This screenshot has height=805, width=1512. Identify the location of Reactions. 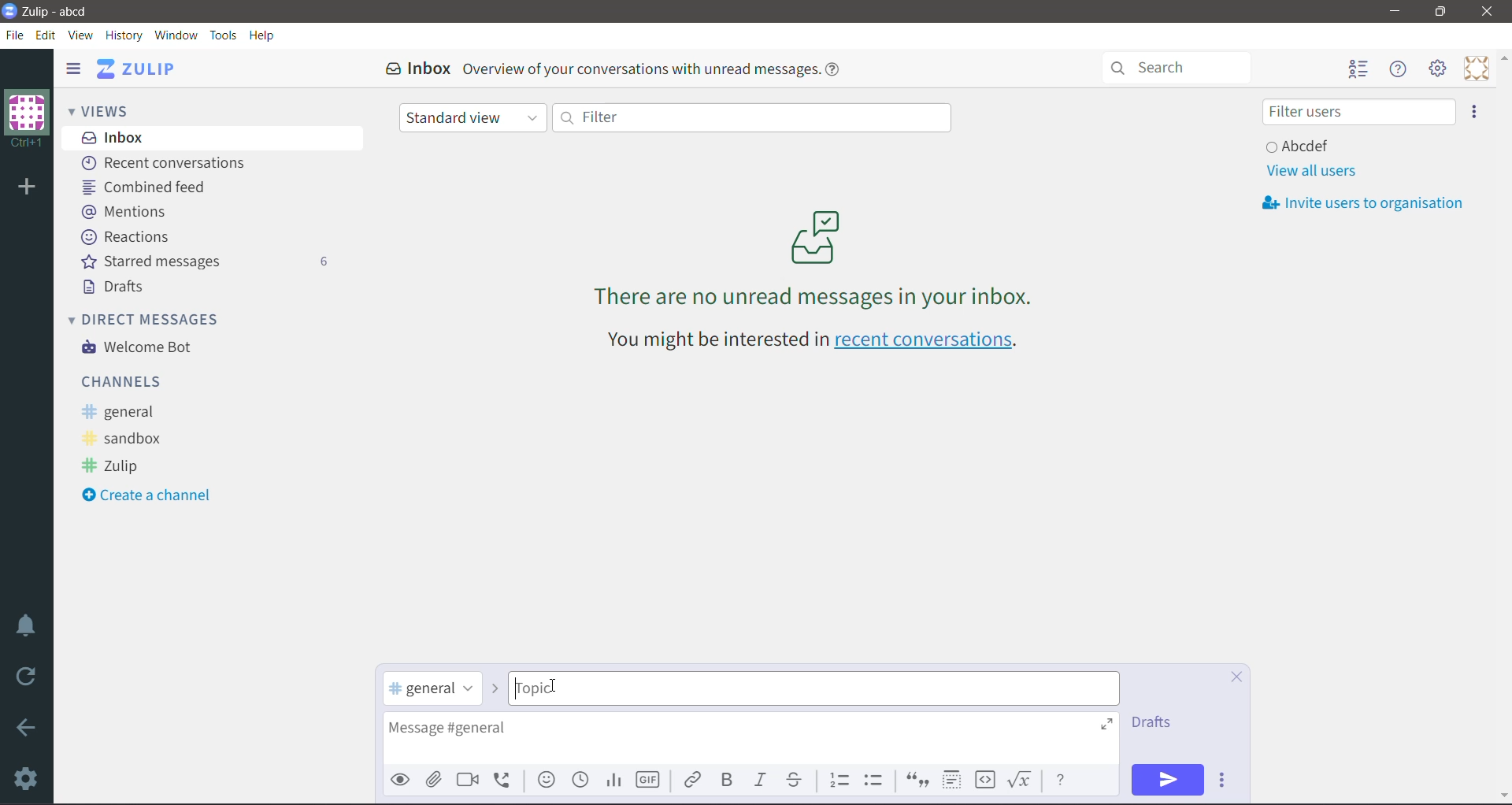
(128, 237).